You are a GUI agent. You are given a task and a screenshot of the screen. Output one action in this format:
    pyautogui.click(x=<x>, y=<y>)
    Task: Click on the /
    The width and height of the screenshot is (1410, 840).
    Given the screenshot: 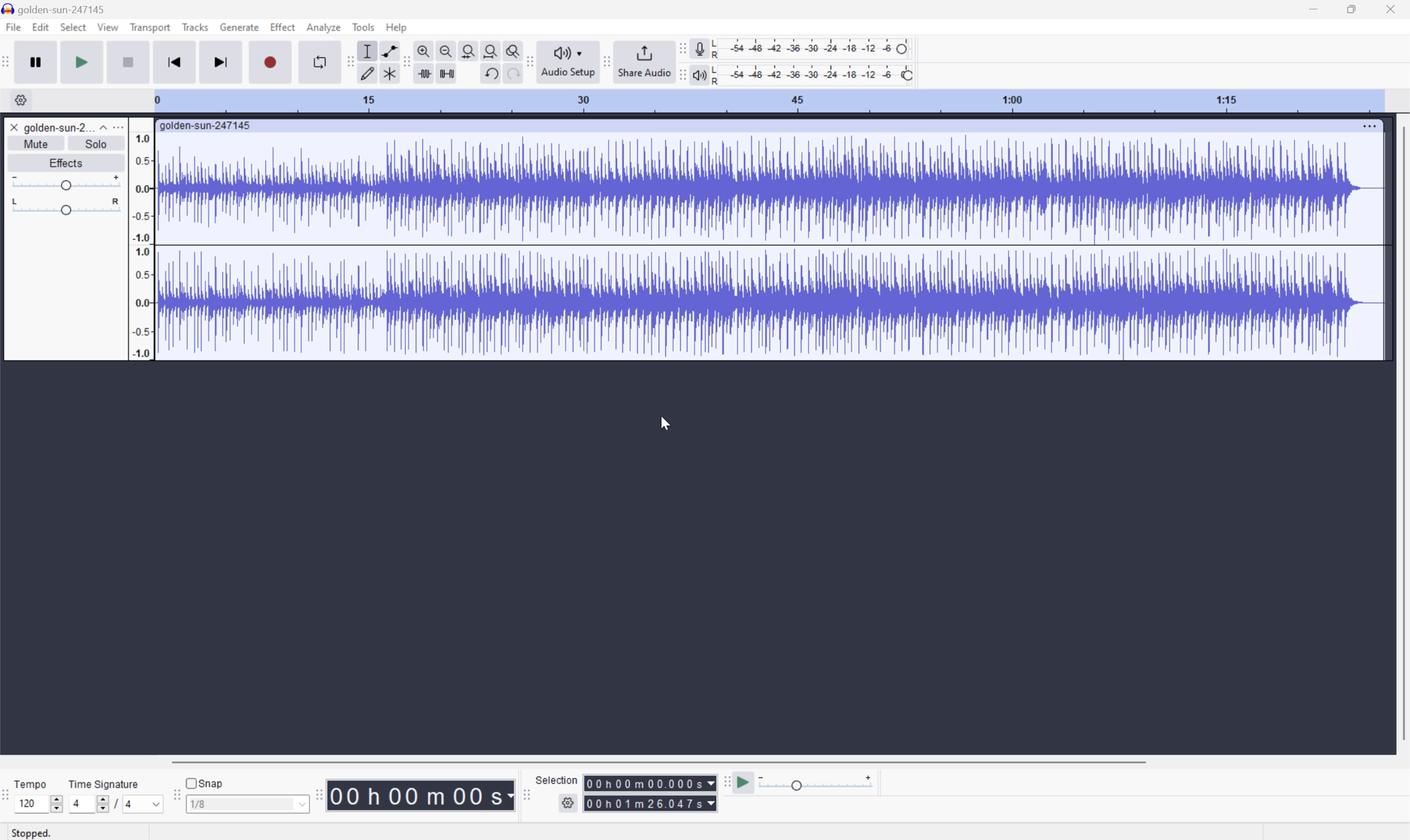 What is the action you would take?
    pyautogui.click(x=116, y=804)
    